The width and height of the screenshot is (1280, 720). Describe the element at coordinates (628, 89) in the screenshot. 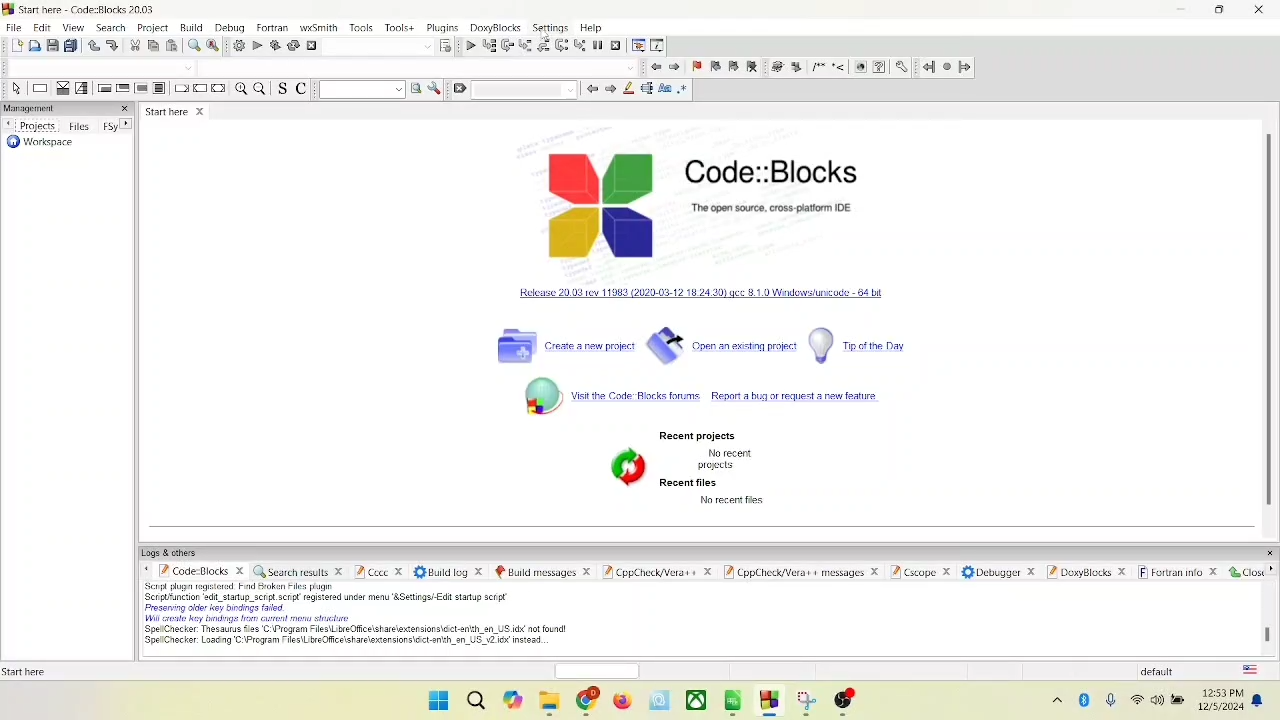

I see `highlight` at that location.